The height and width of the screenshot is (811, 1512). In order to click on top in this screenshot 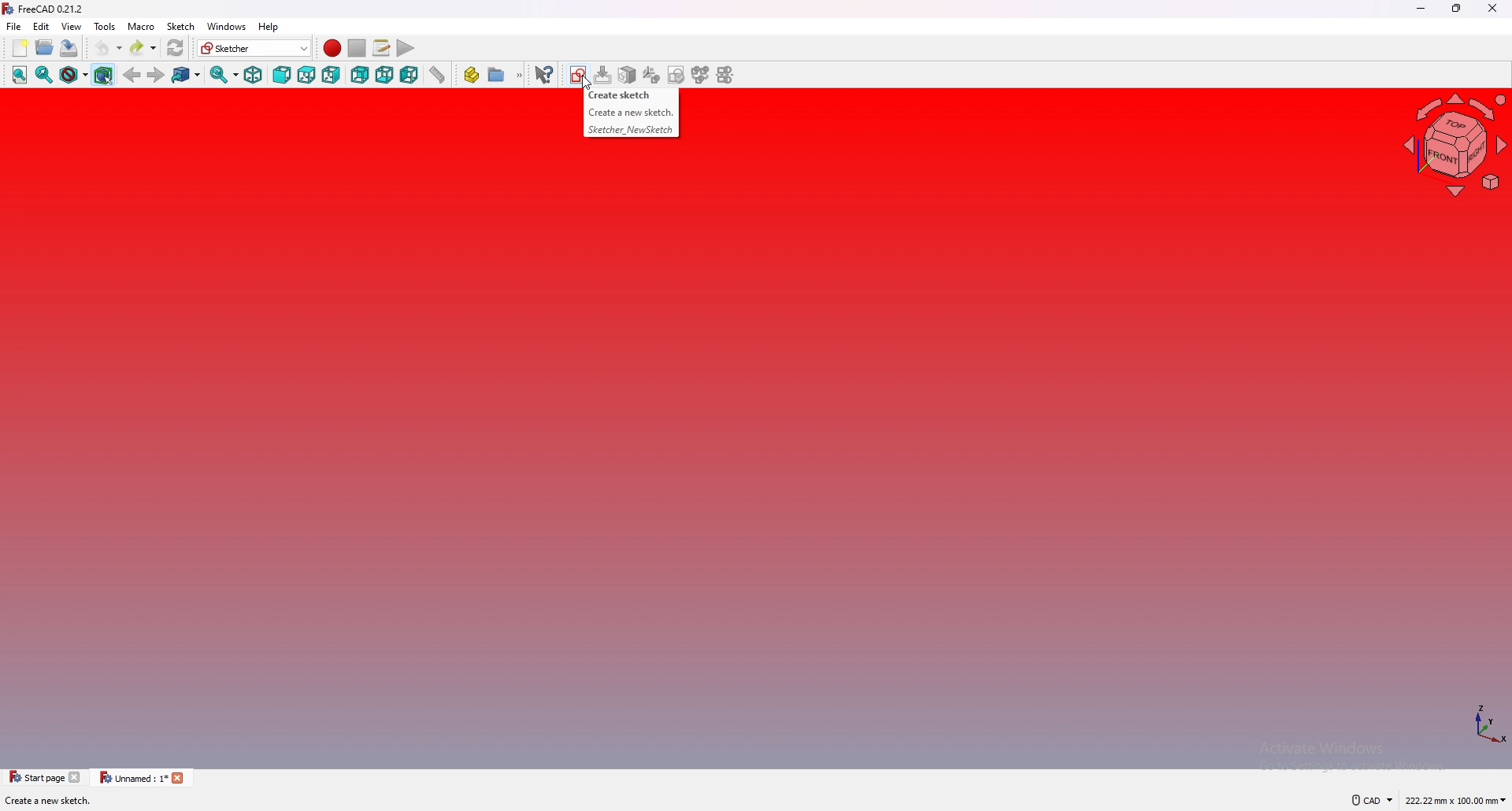, I will do `click(306, 75)`.